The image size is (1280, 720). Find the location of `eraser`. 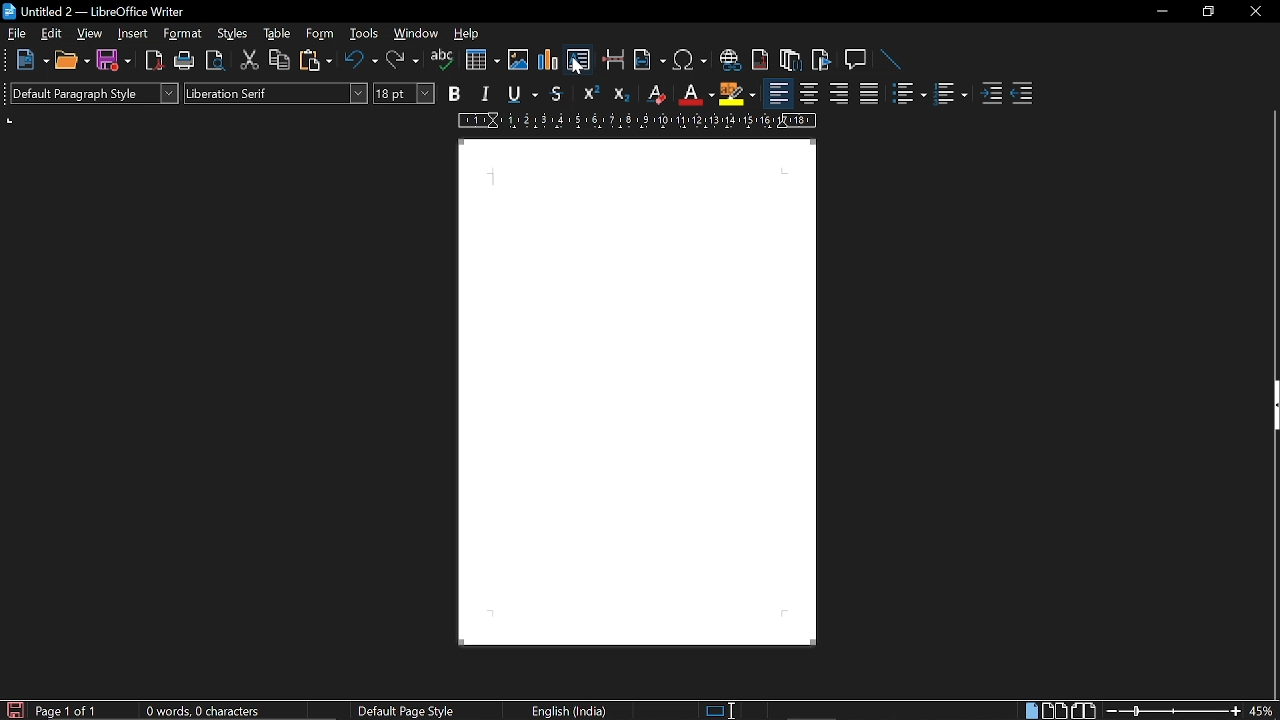

eraser is located at coordinates (654, 94).